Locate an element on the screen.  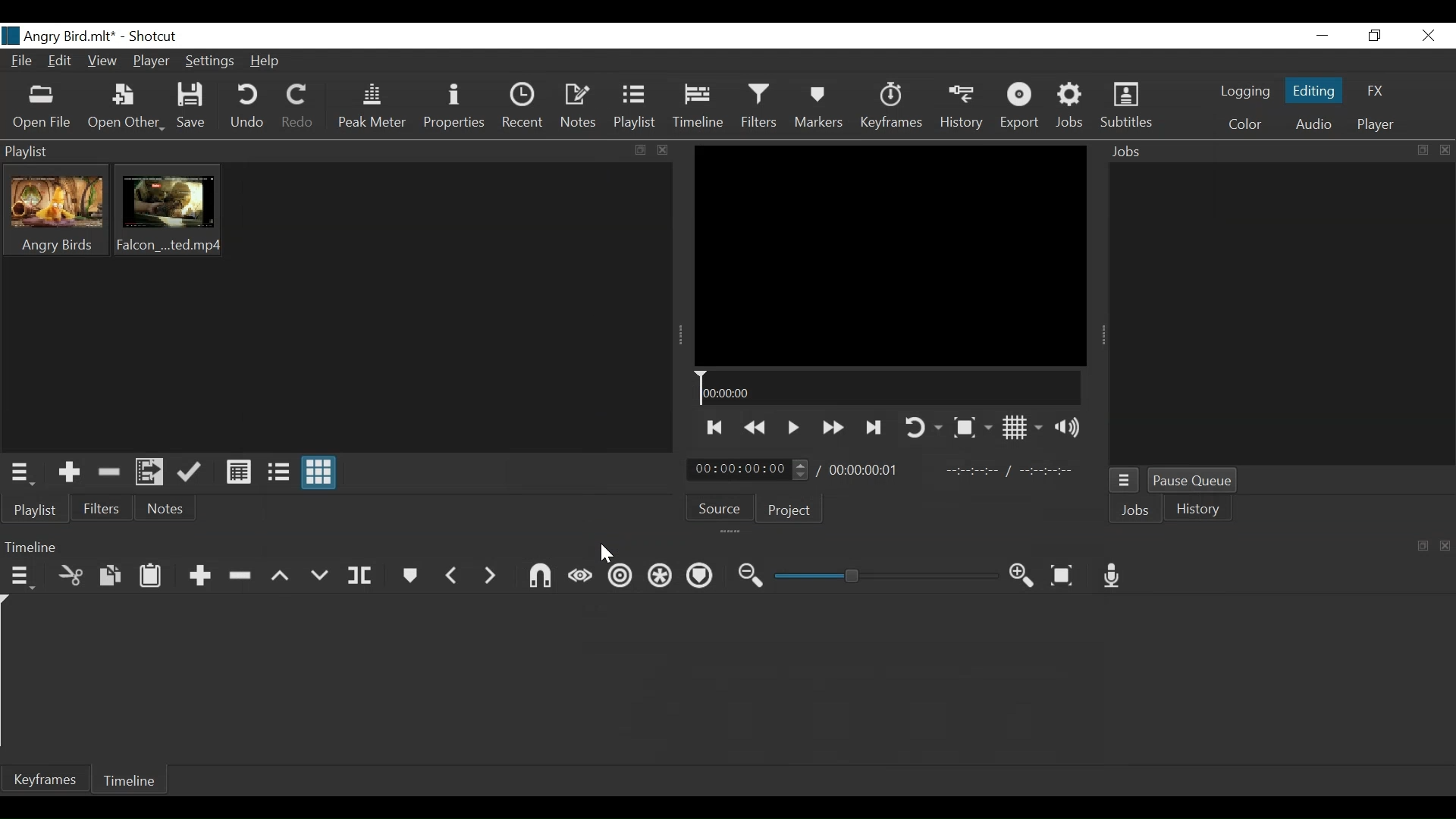
View as icon is located at coordinates (322, 473).